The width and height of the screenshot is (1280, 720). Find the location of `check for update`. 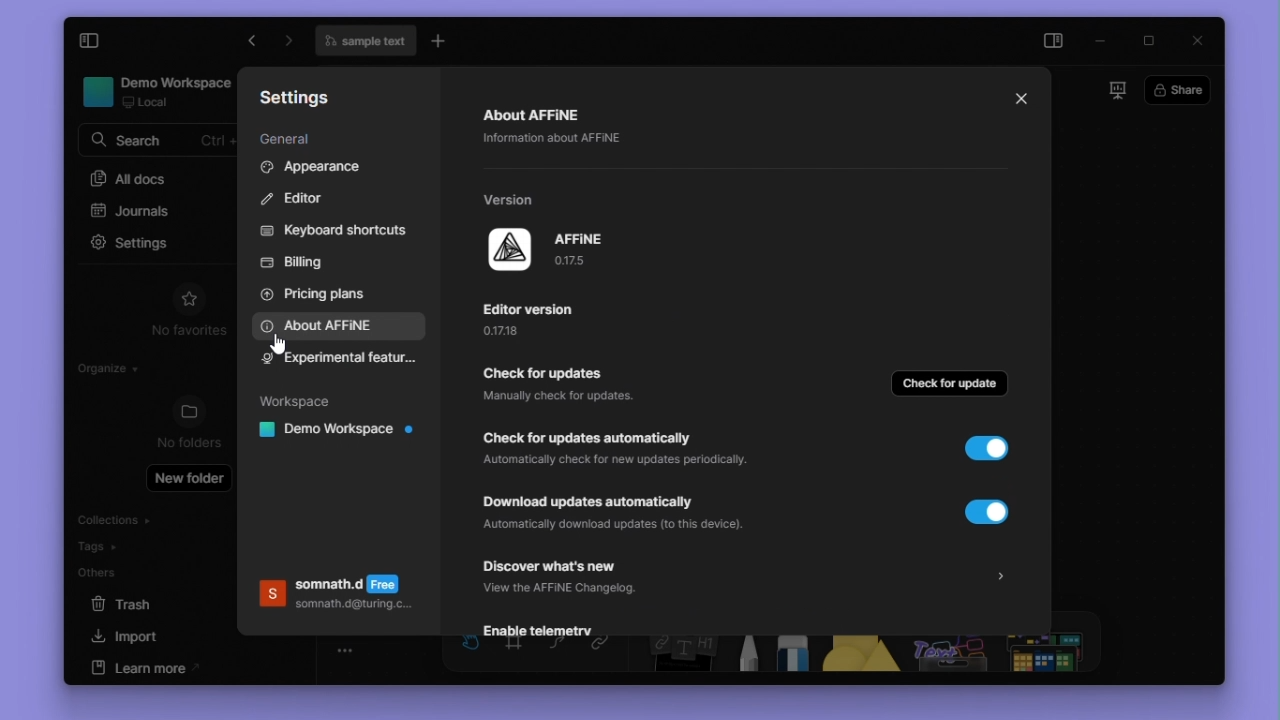

check for update is located at coordinates (951, 384).